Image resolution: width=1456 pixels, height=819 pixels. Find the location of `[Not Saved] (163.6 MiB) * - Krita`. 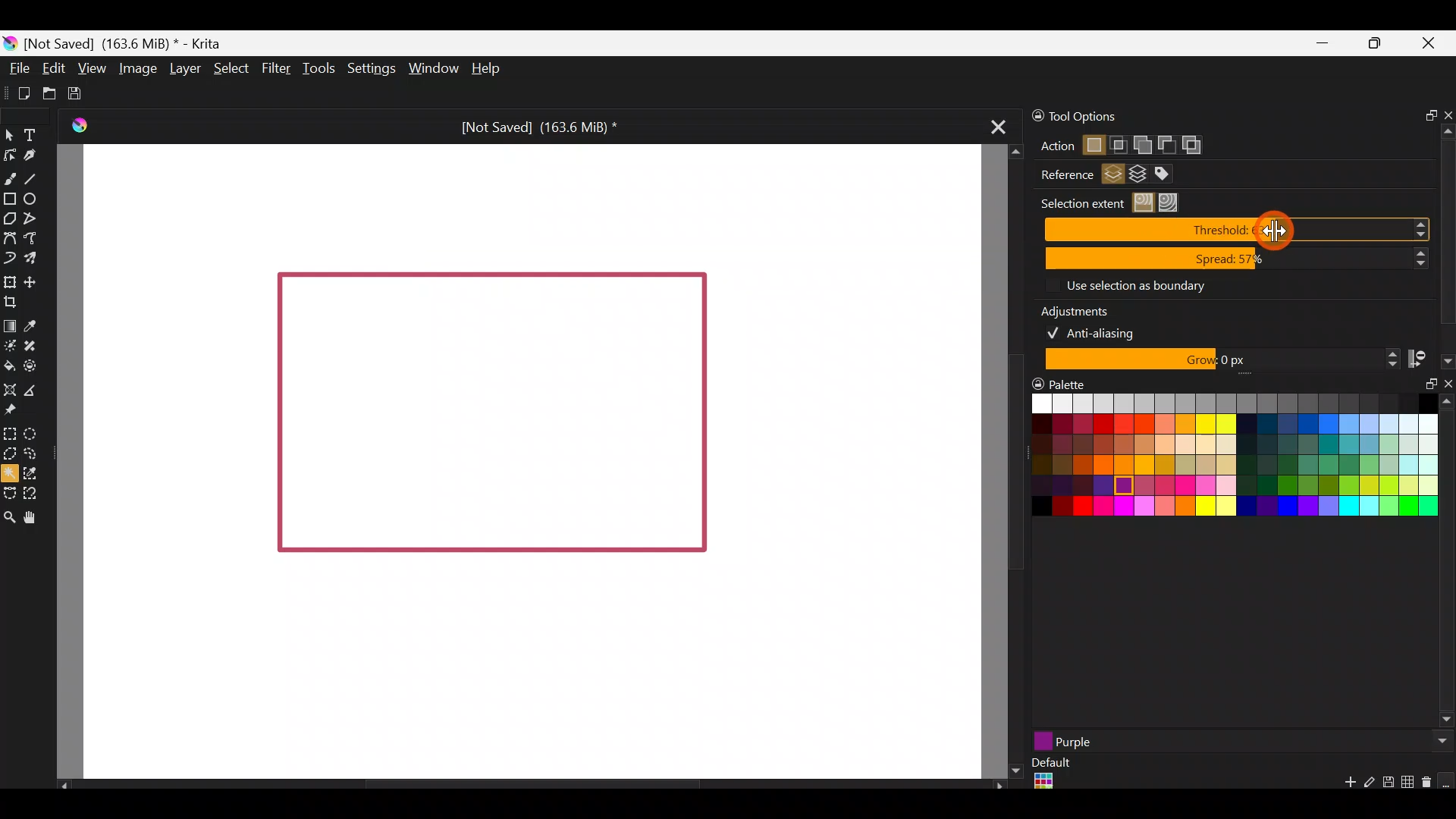

[Not Saved] (163.6 MiB) * - Krita is located at coordinates (132, 44).